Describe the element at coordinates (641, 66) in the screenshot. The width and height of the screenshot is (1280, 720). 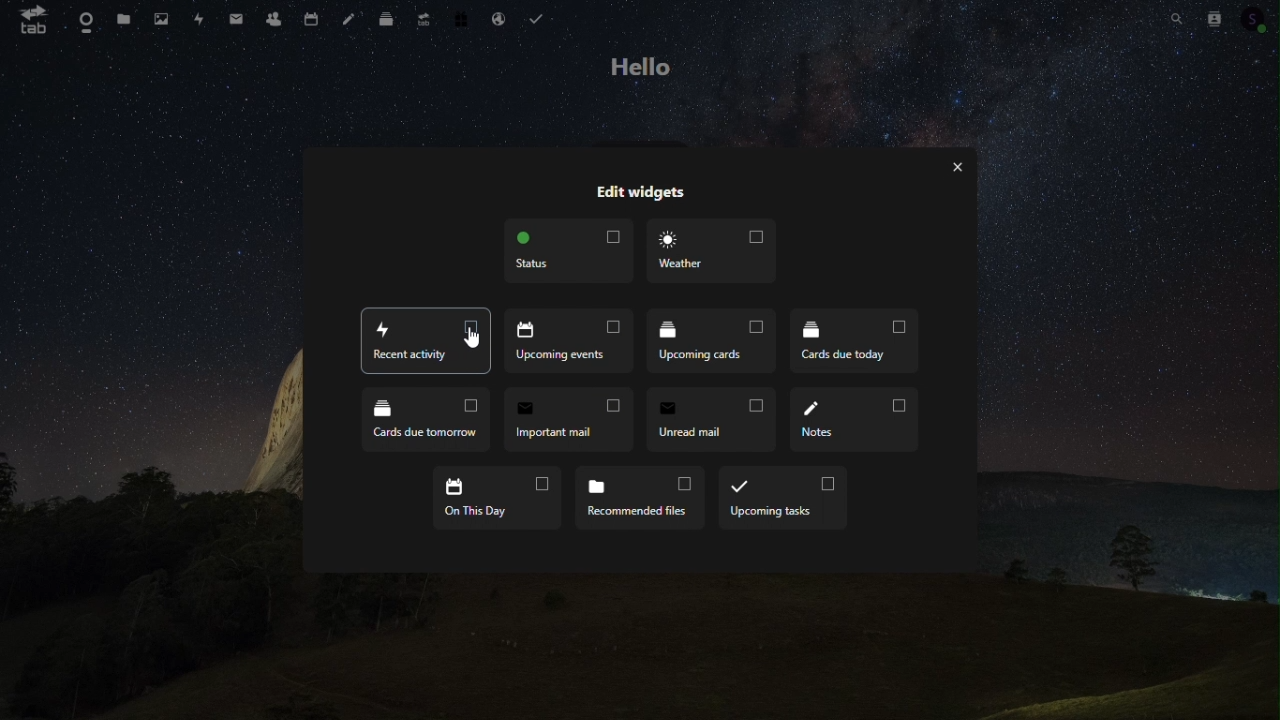
I see `hello` at that location.